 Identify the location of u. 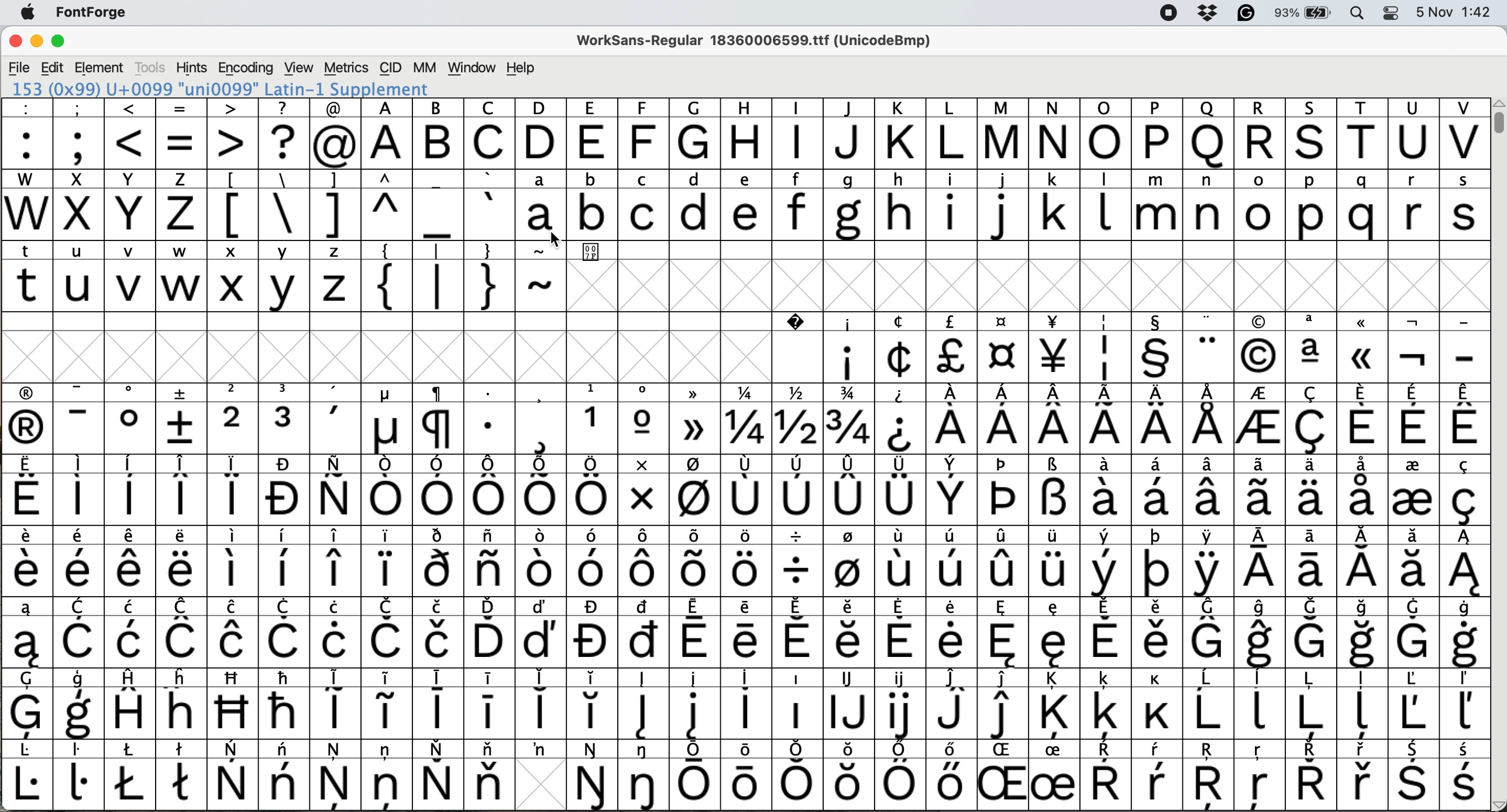
(80, 276).